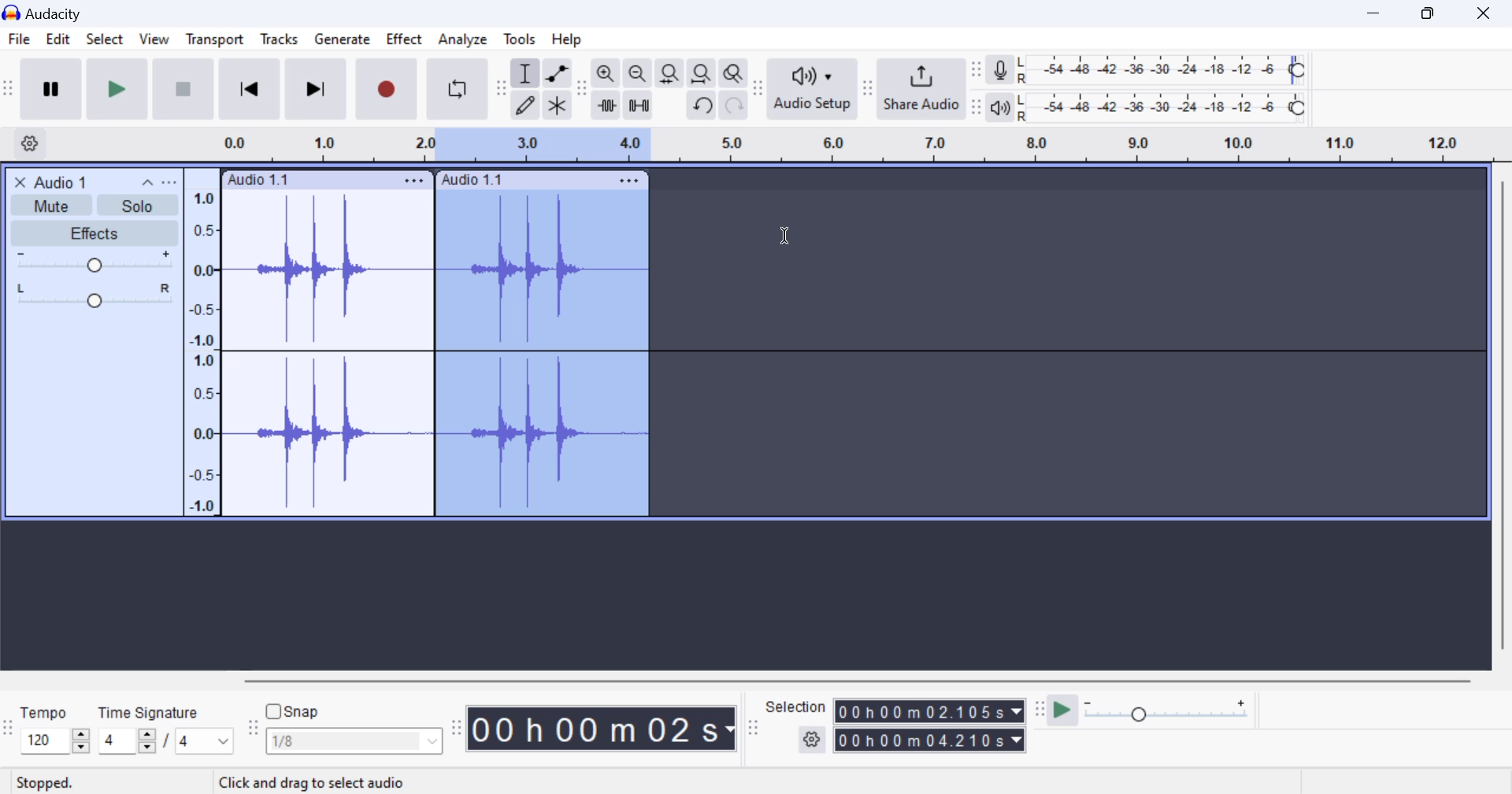 This screenshot has width=1512, height=794. I want to click on Max time signature options, so click(205, 742).